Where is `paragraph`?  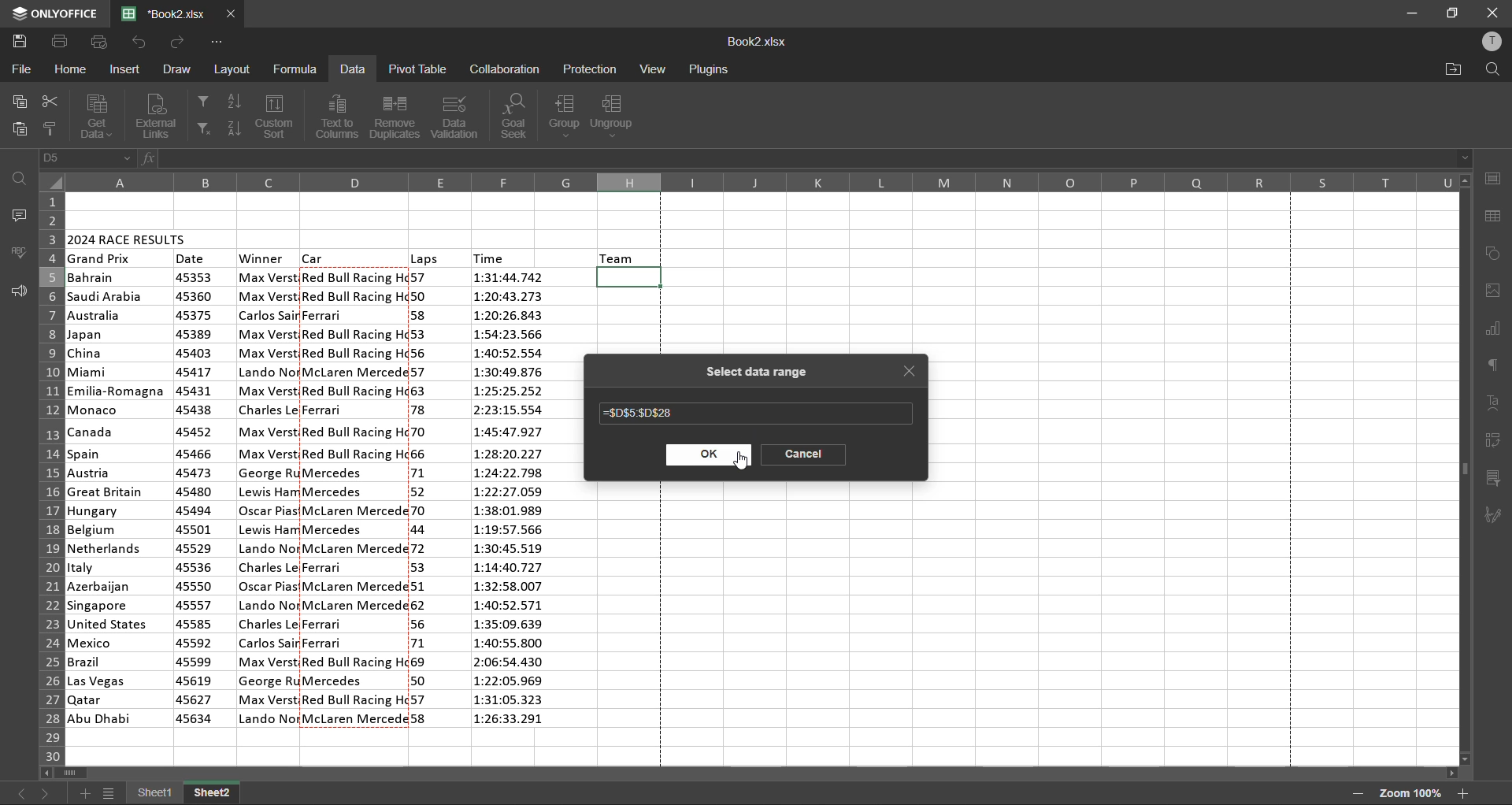 paragraph is located at coordinates (1497, 364).